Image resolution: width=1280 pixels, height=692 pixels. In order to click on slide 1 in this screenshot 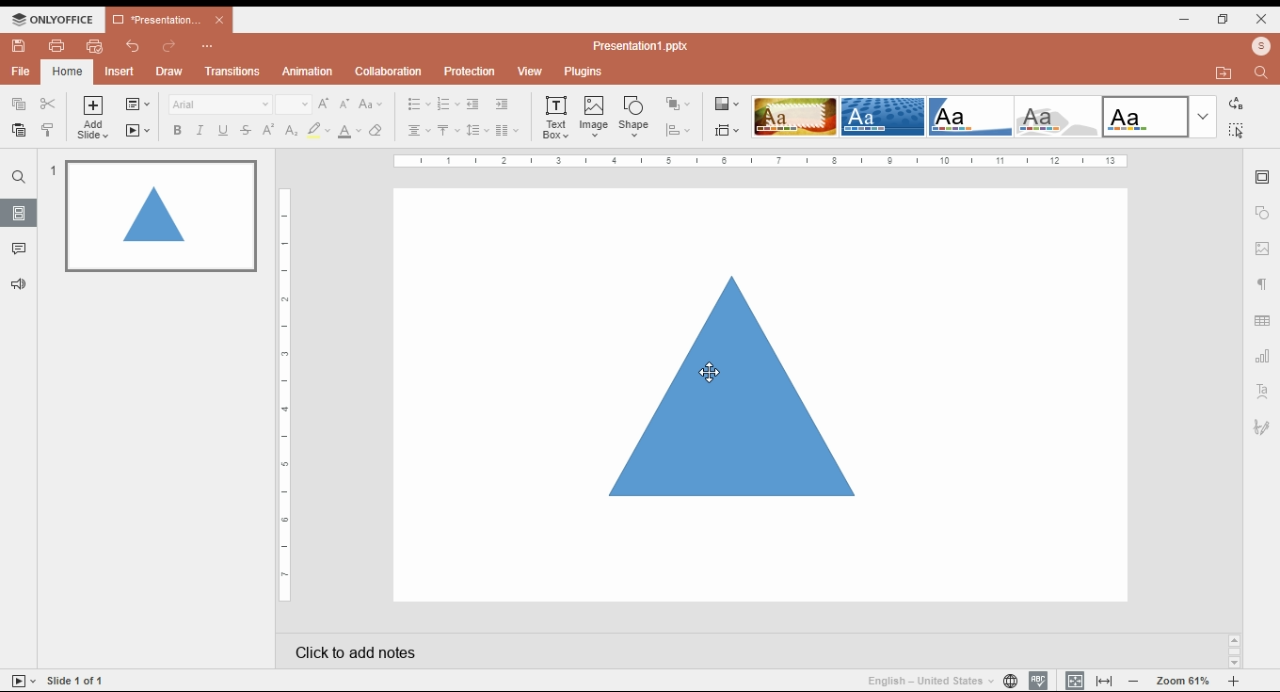, I will do `click(161, 219)`.